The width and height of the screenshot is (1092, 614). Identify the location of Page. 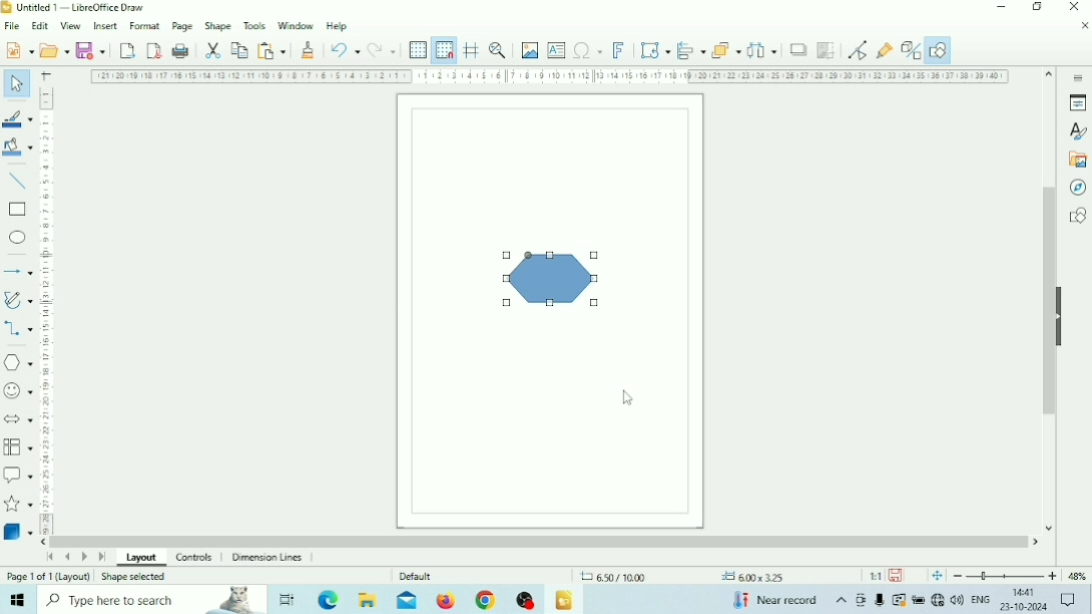
(183, 25).